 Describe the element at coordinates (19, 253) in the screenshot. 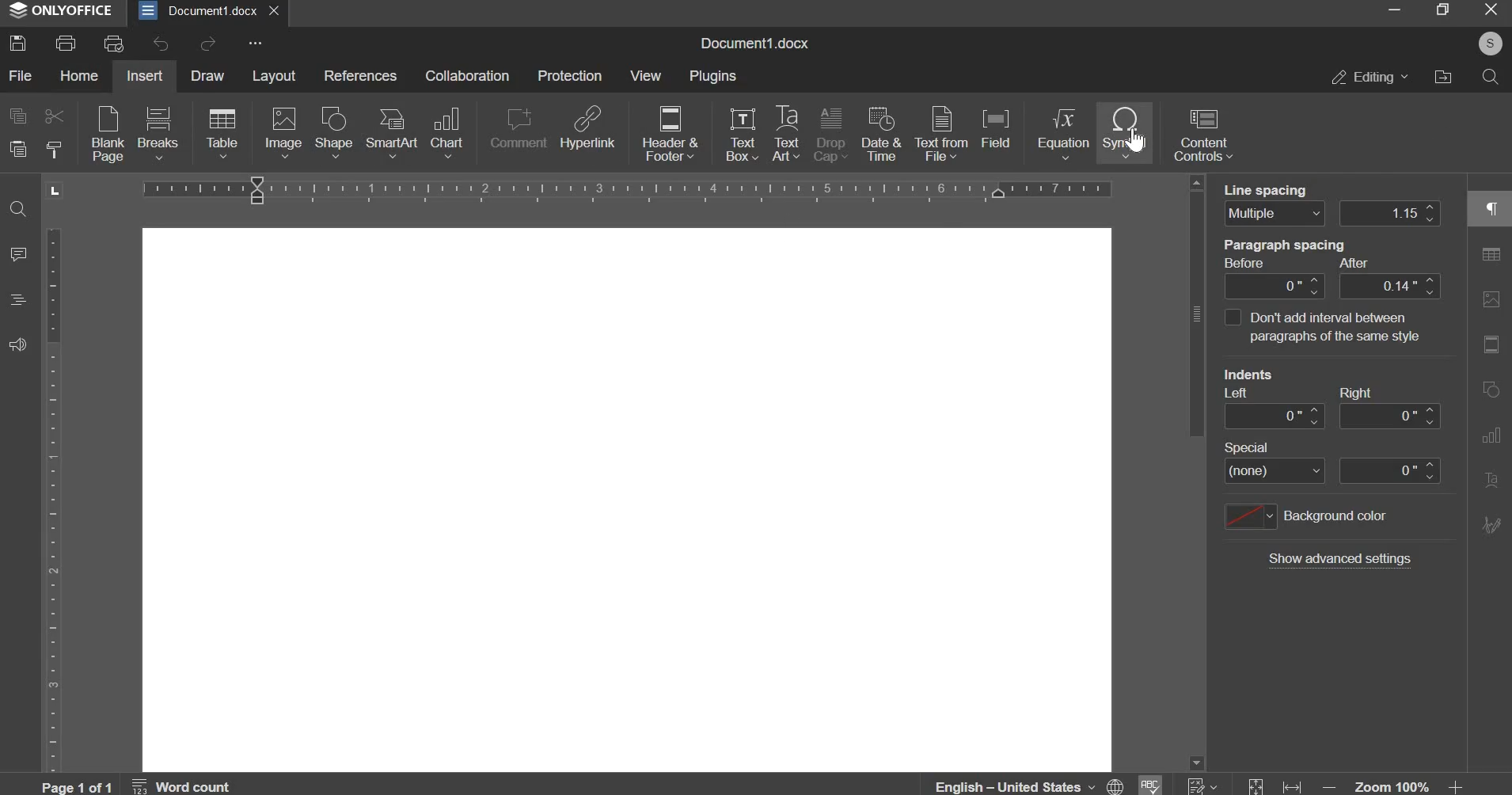

I see `comment` at that location.